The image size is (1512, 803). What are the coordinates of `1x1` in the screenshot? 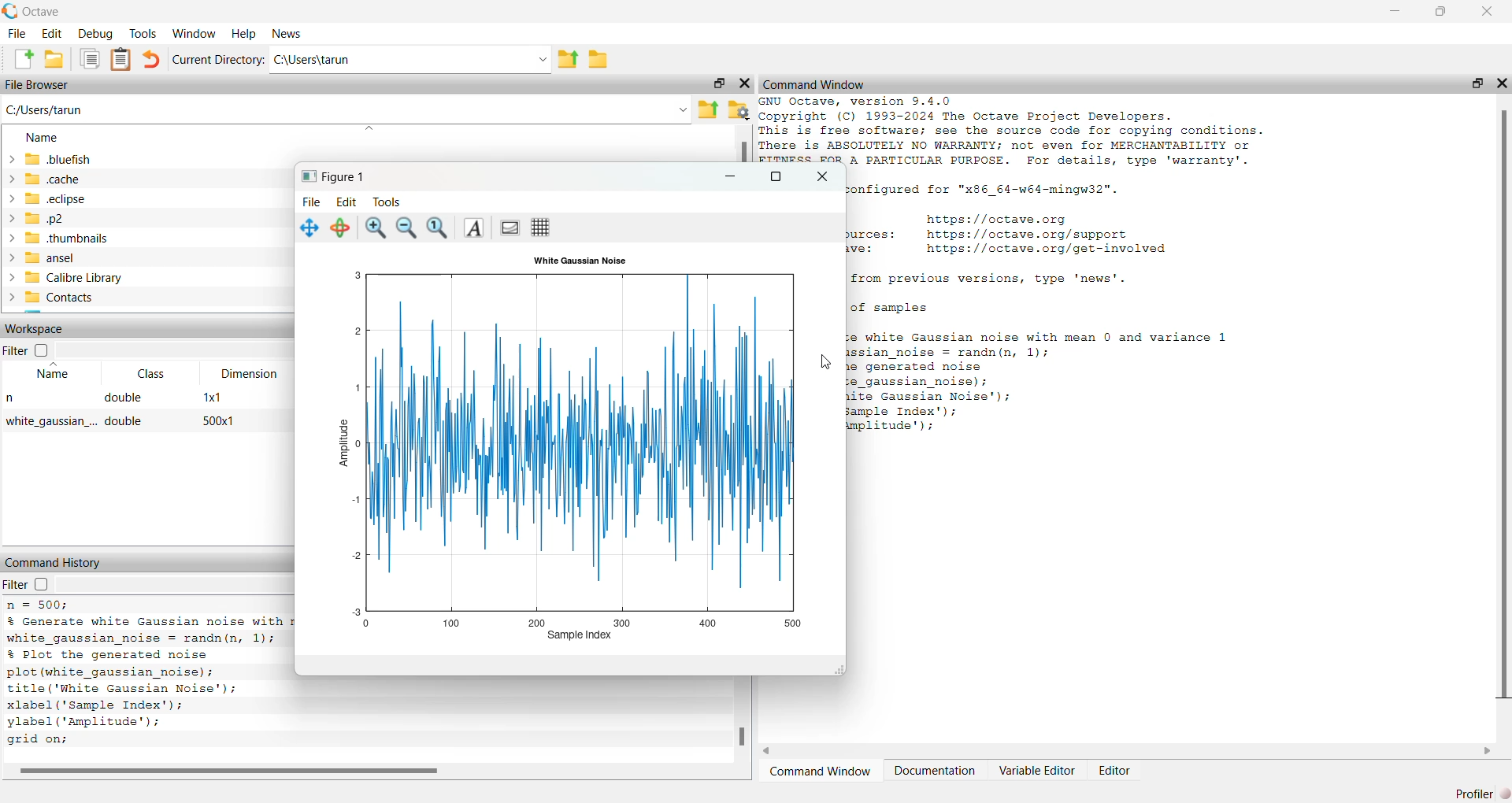 It's located at (218, 398).